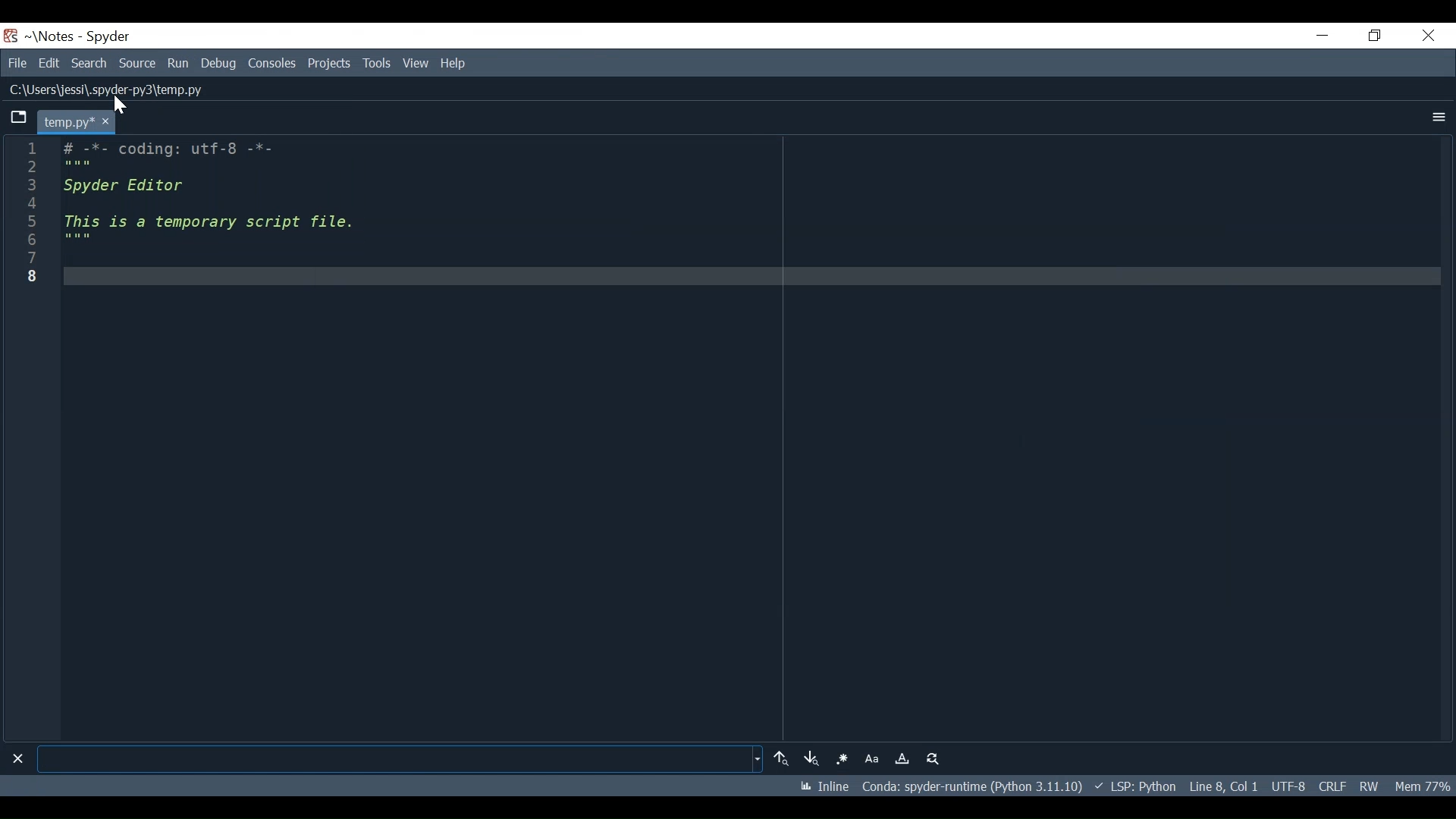  I want to click on Language, so click(1142, 787).